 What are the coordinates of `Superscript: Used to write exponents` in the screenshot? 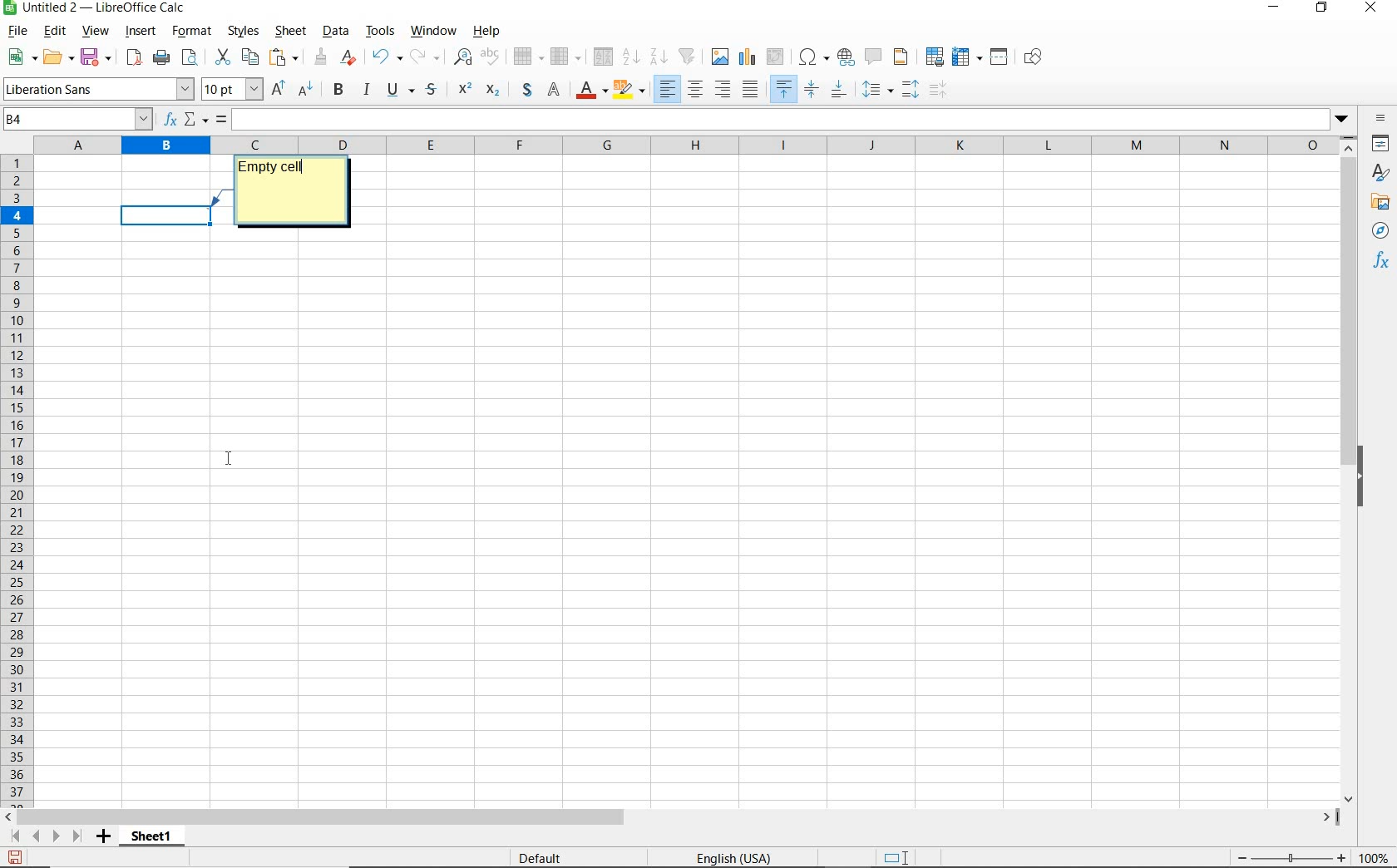 It's located at (461, 87).